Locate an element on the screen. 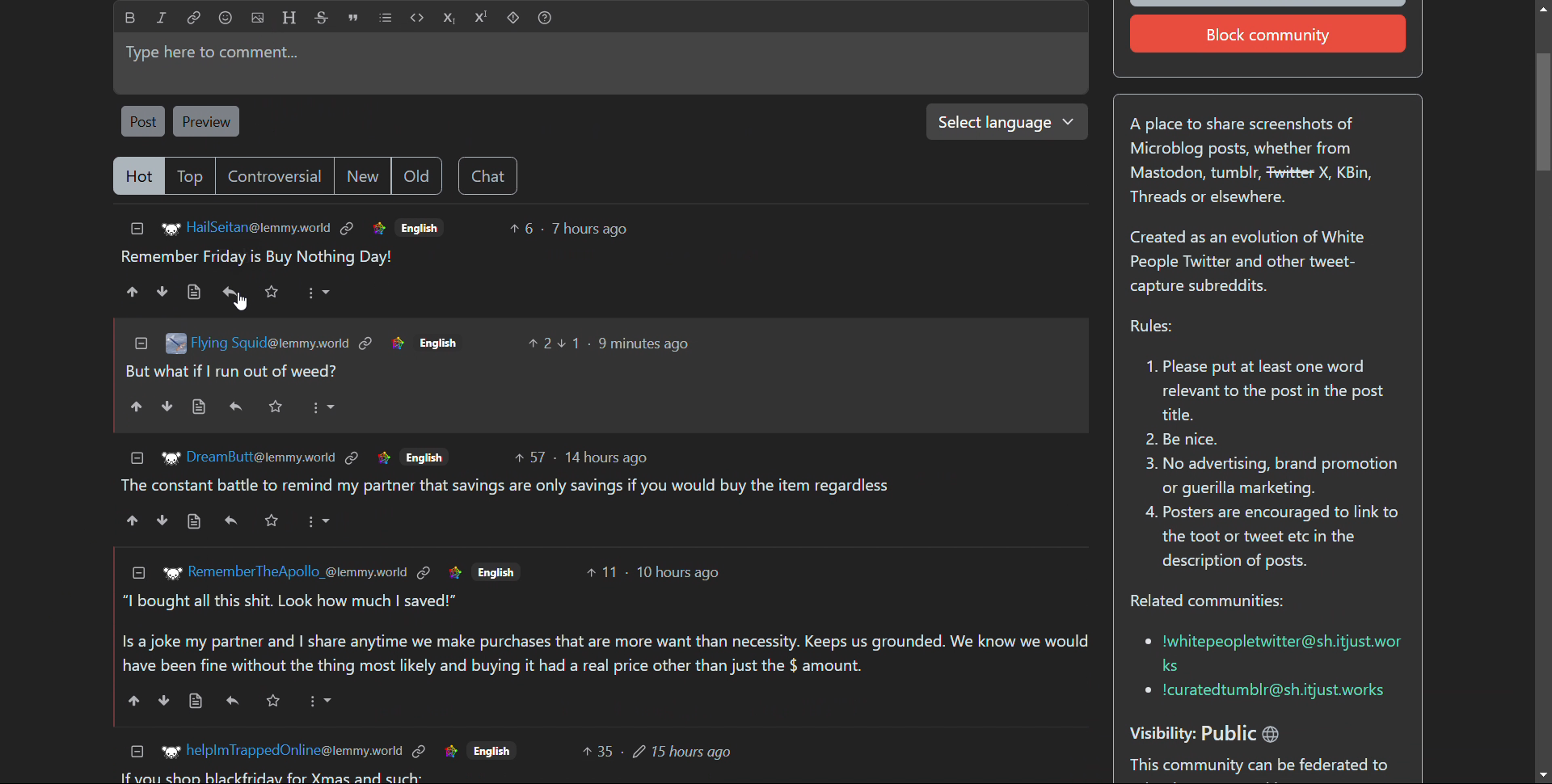 Image resolution: width=1552 pixels, height=784 pixels. username is located at coordinates (297, 572).